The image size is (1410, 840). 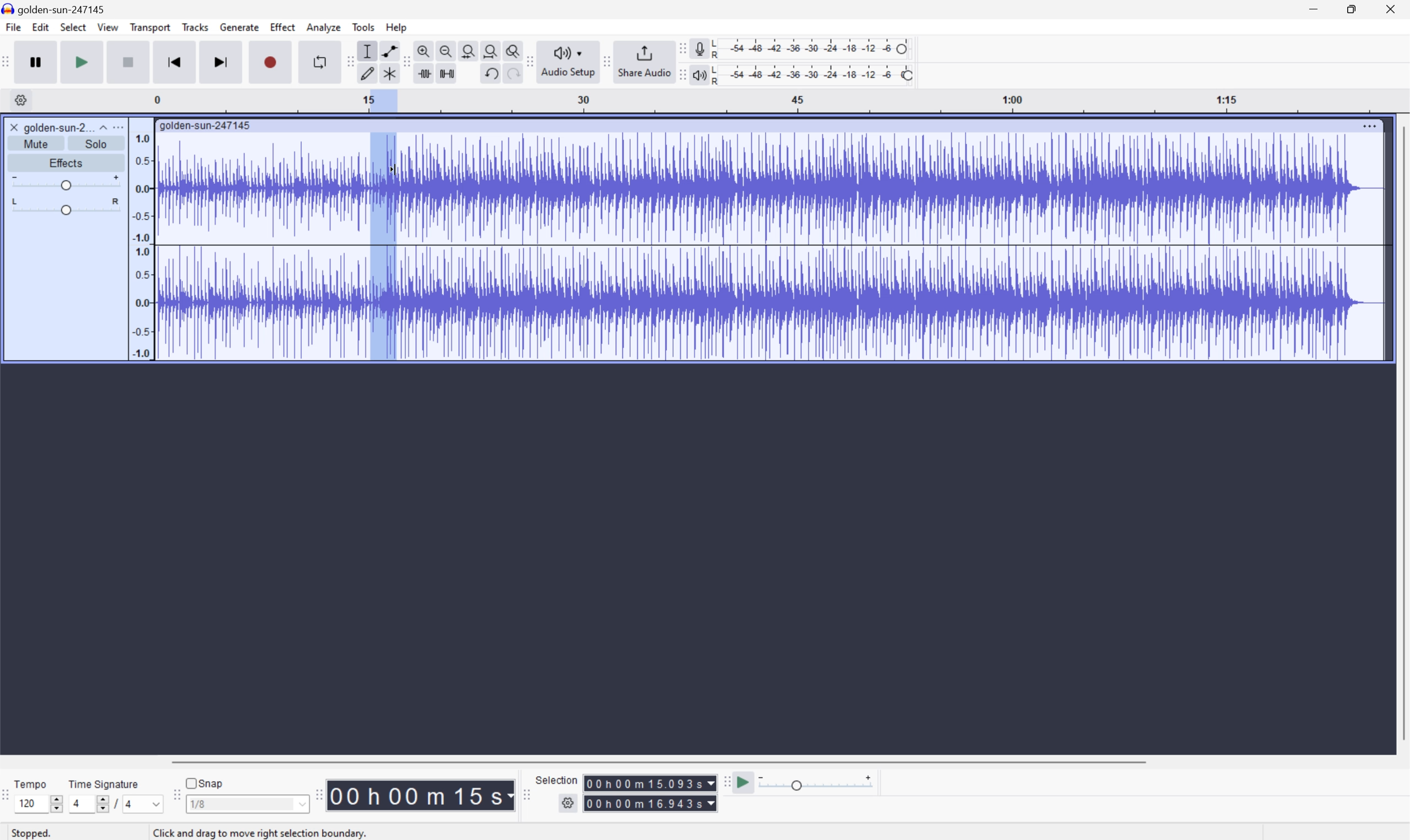 What do you see at coordinates (204, 781) in the screenshot?
I see `Snap` at bounding box center [204, 781].